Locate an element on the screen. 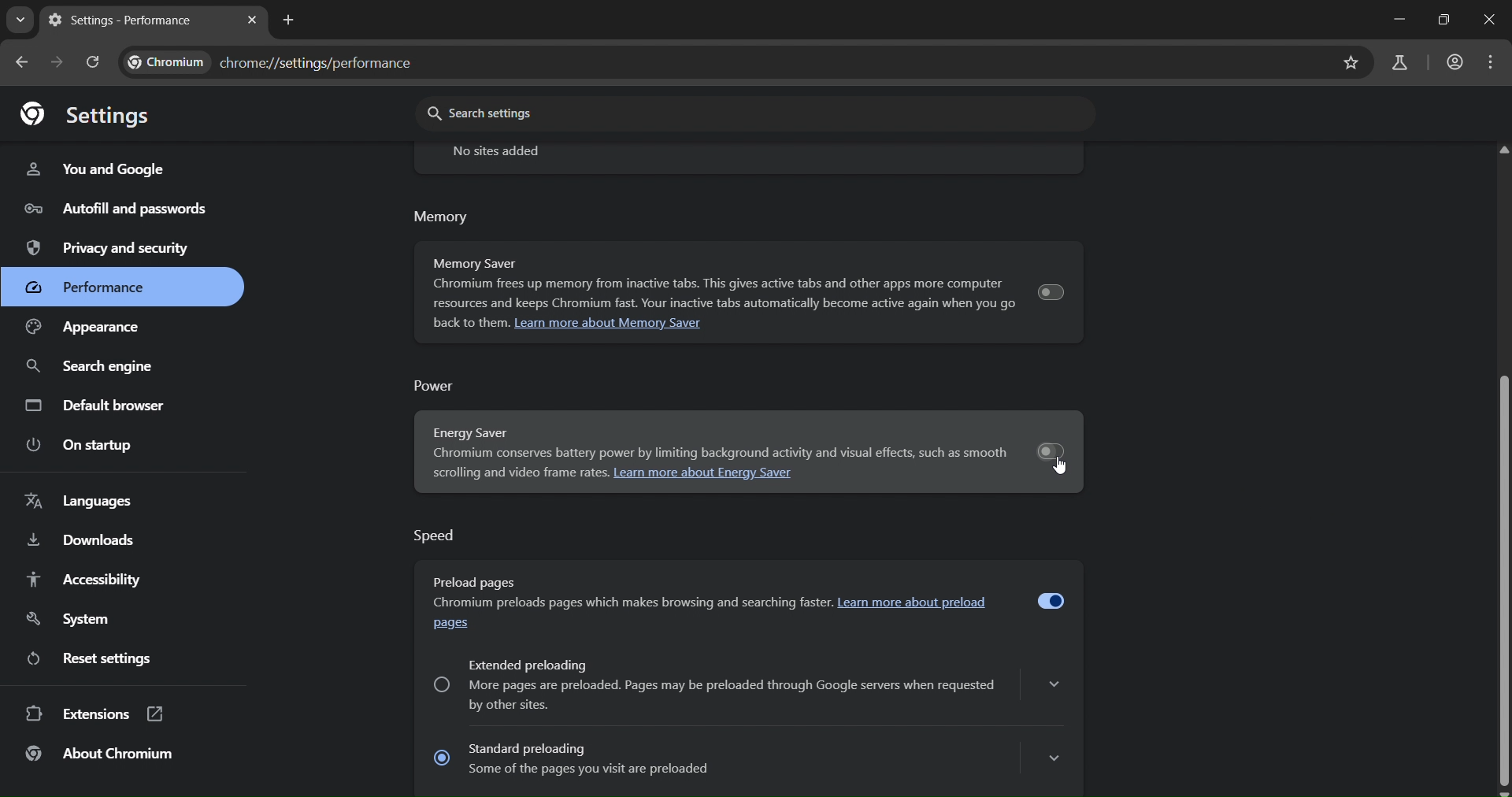 Image resolution: width=1512 pixels, height=797 pixels. chormium preloads pages which make browsing faster is located at coordinates (625, 602).